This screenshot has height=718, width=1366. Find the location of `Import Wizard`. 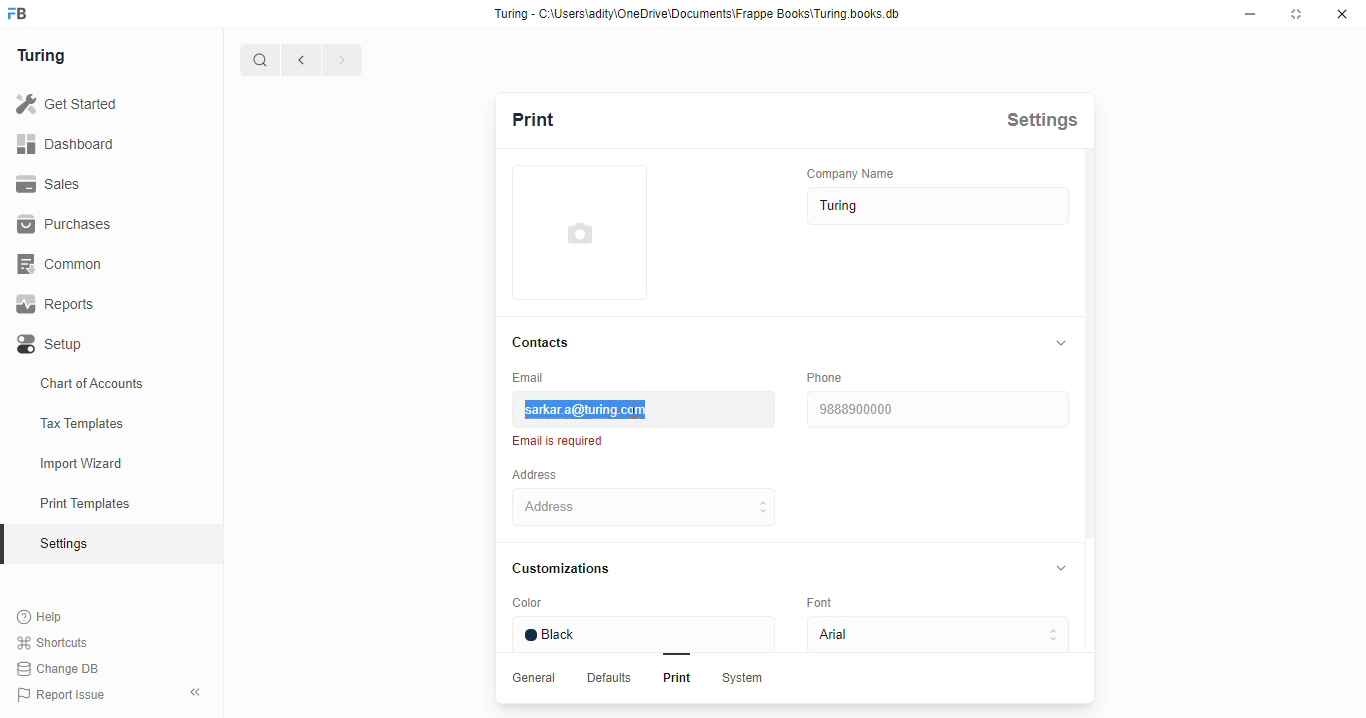

Import Wizard is located at coordinates (108, 462).